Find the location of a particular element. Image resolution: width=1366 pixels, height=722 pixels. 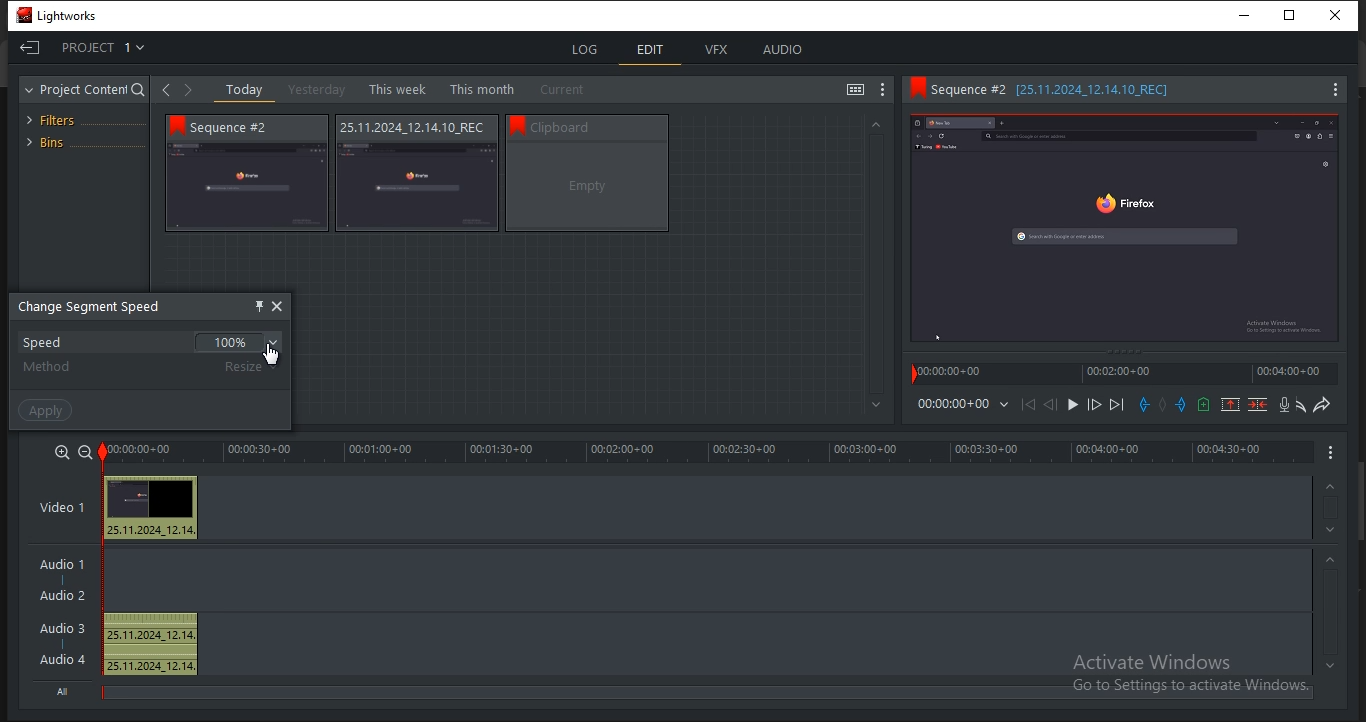

project content is located at coordinates (83, 89).